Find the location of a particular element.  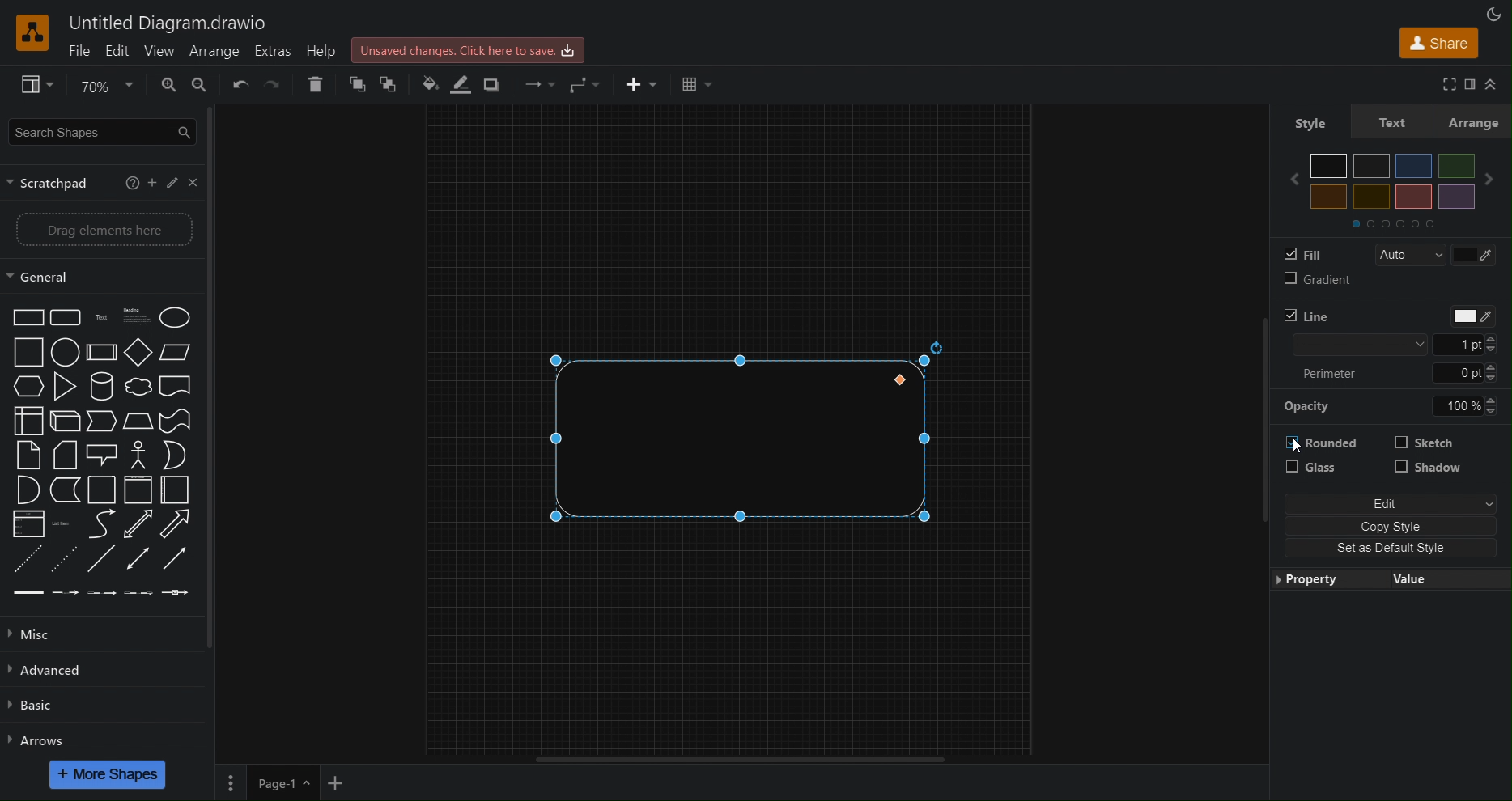

Set as Default Style is located at coordinates (1392, 551).